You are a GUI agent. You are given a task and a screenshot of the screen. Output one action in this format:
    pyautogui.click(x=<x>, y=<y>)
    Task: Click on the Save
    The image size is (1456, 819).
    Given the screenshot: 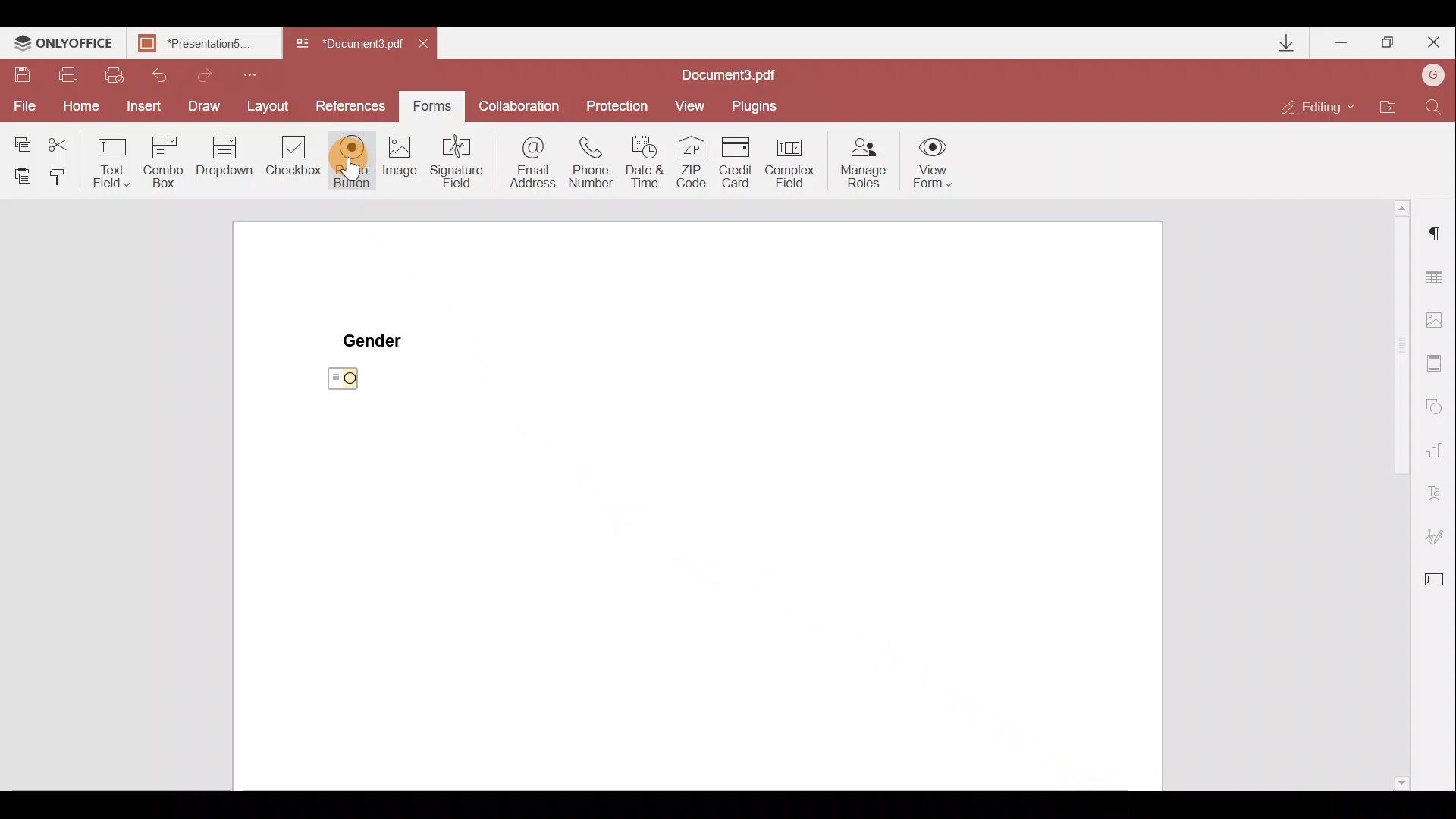 What is the action you would take?
    pyautogui.click(x=24, y=76)
    